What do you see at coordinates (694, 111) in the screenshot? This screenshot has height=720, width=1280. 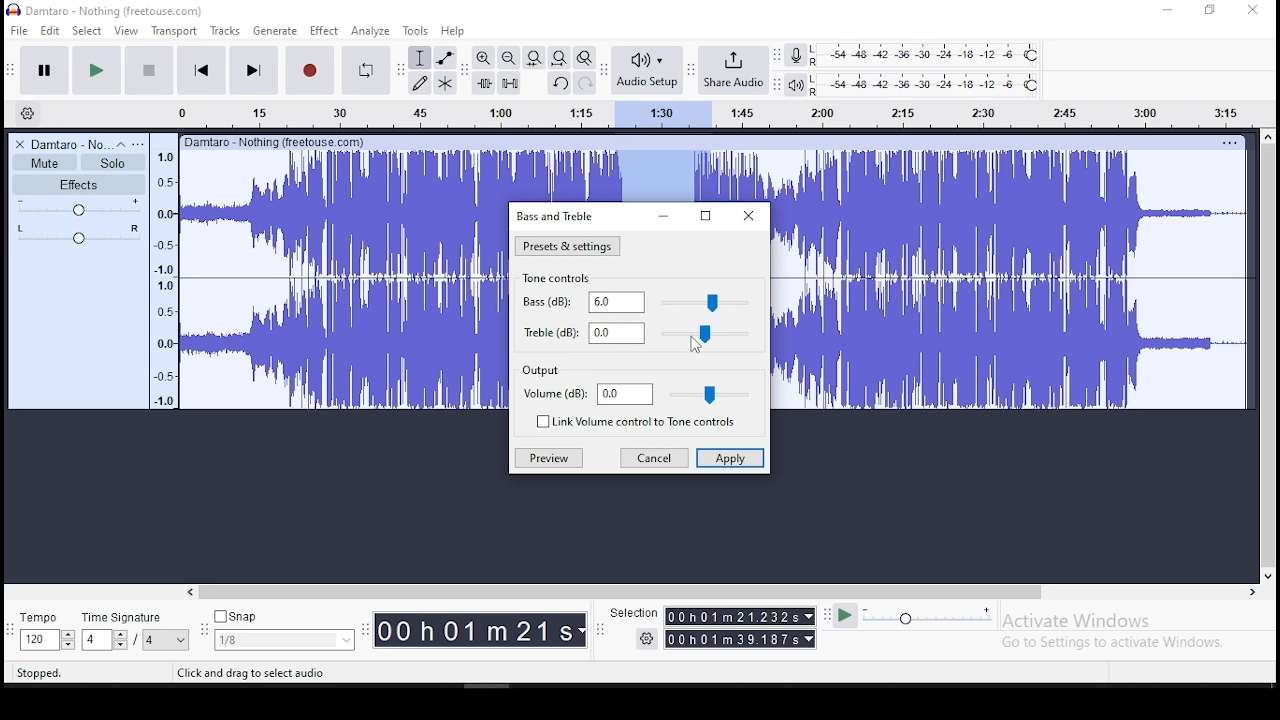 I see `Audio bar` at bounding box center [694, 111].